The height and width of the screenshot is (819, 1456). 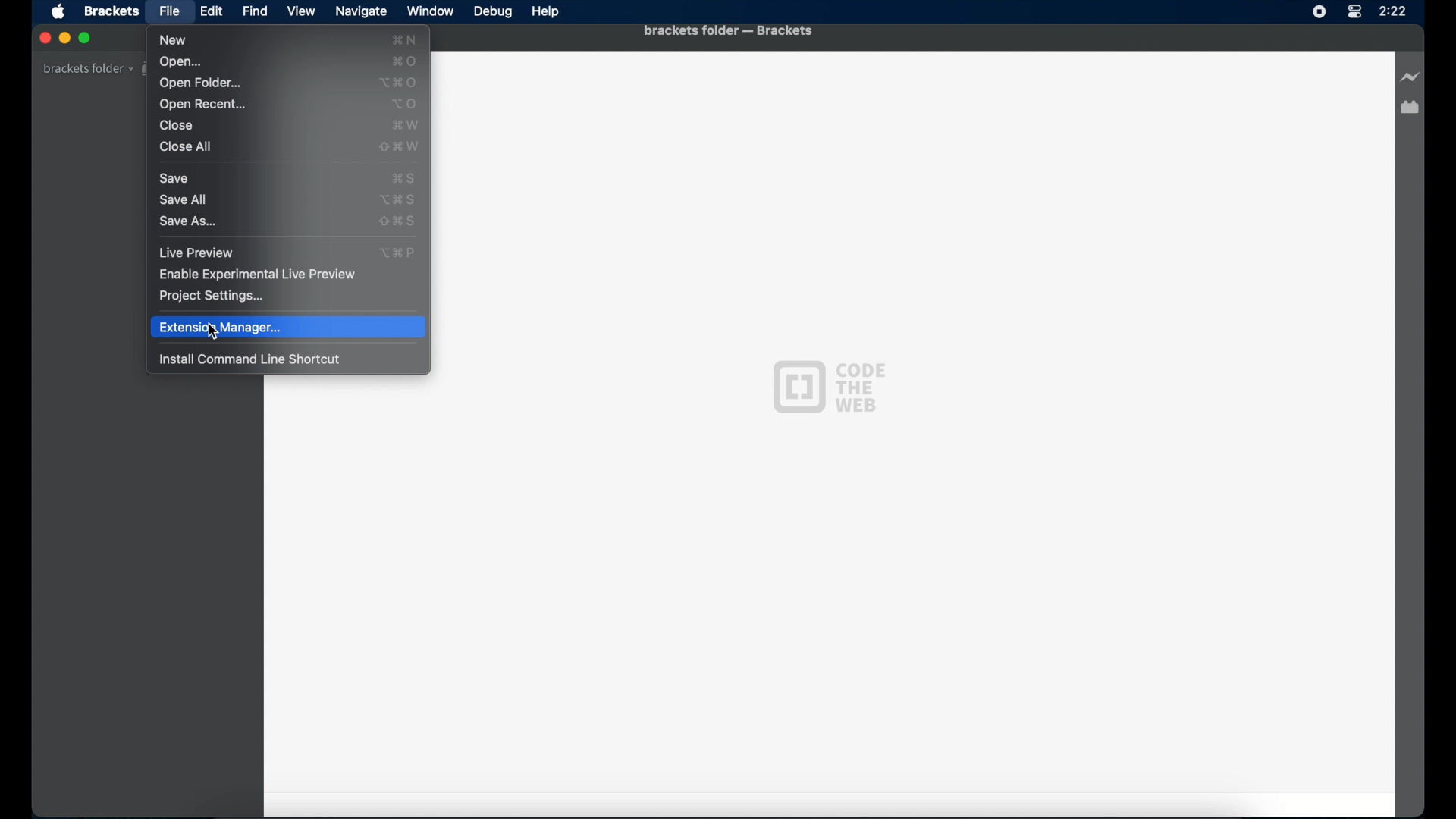 I want to click on save all, so click(x=183, y=199).